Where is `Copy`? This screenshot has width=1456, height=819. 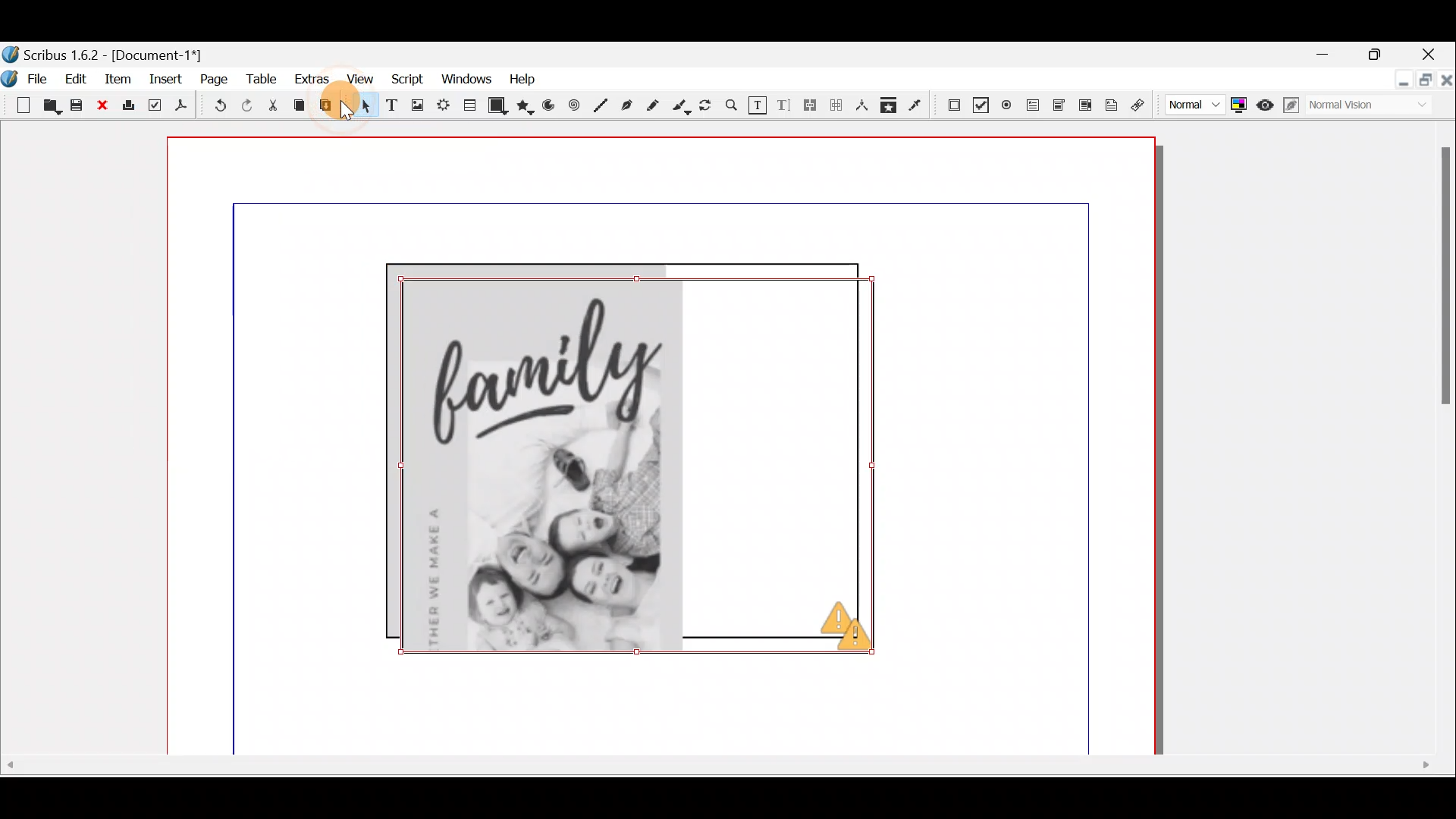 Copy is located at coordinates (299, 108).